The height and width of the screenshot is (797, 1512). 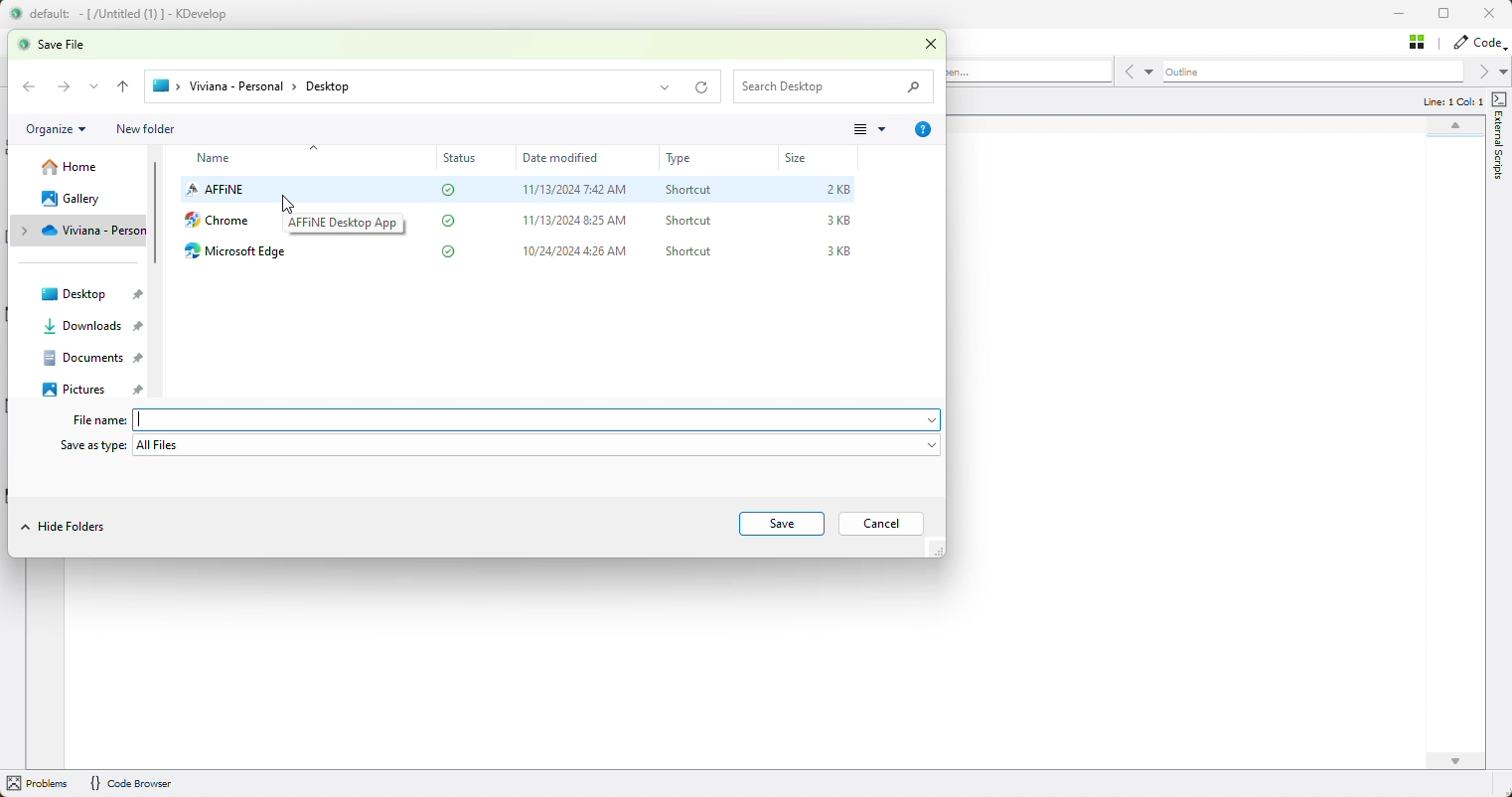 I want to click on pictures, so click(x=94, y=388).